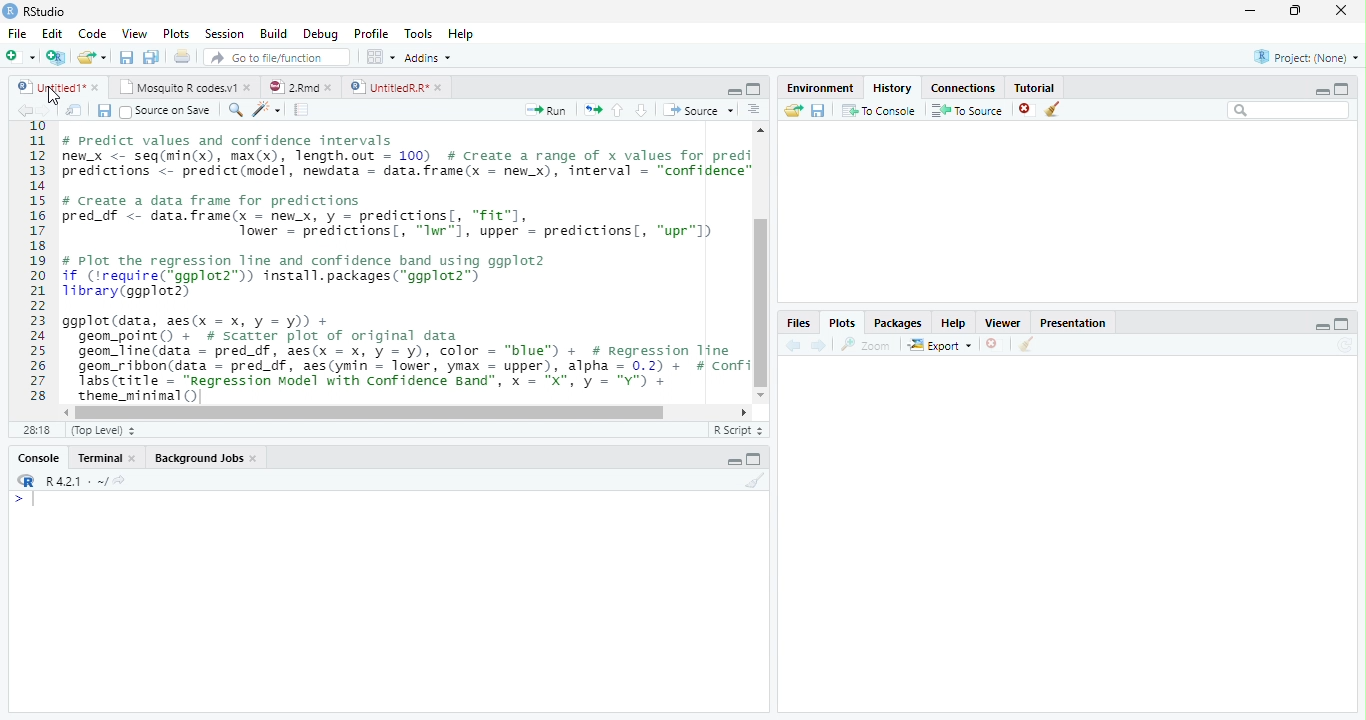 Image resolution: width=1366 pixels, height=720 pixels. Describe the element at coordinates (1294, 10) in the screenshot. I see `Maximize` at that location.